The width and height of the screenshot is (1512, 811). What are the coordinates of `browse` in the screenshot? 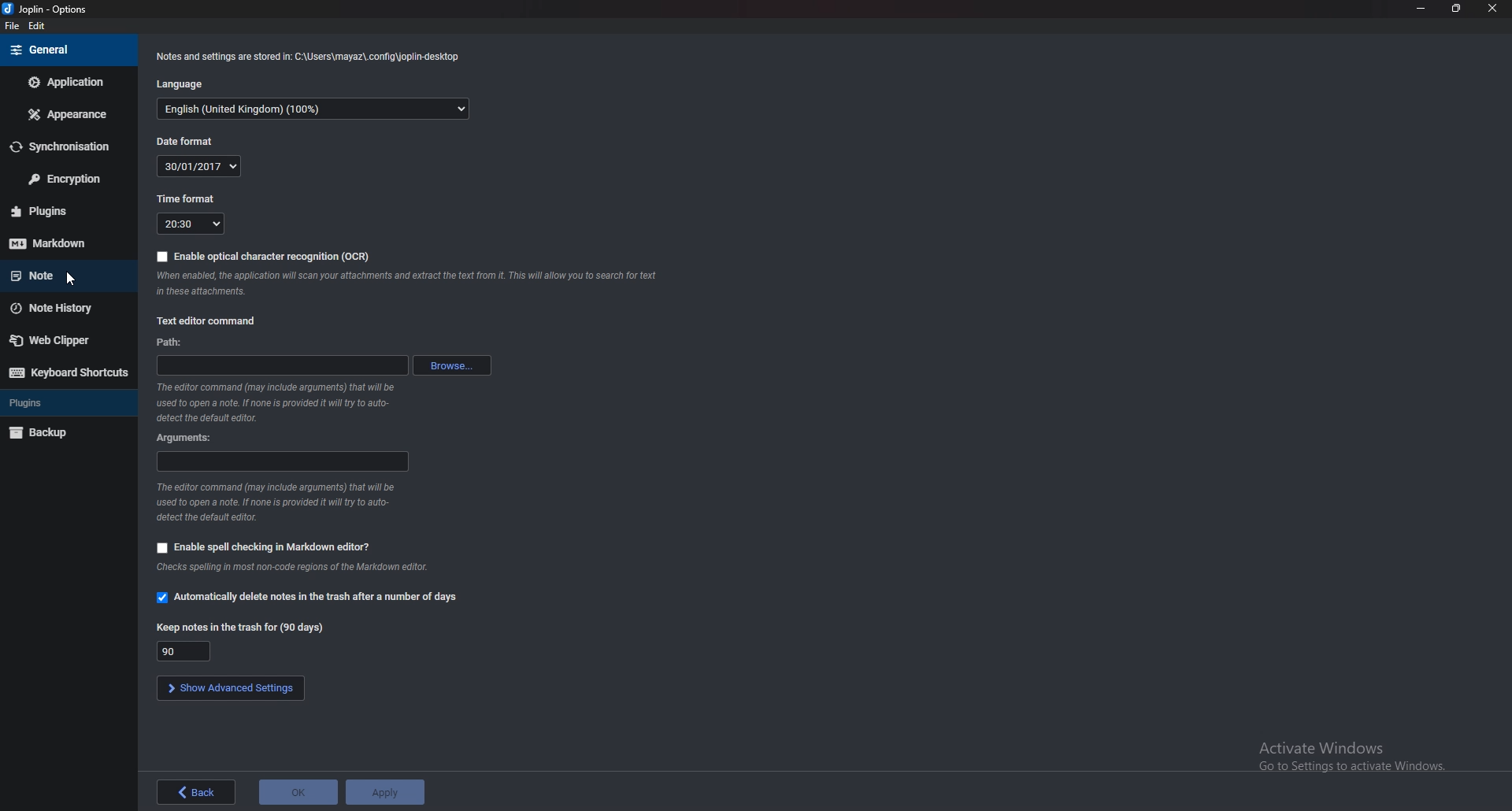 It's located at (457, 366).